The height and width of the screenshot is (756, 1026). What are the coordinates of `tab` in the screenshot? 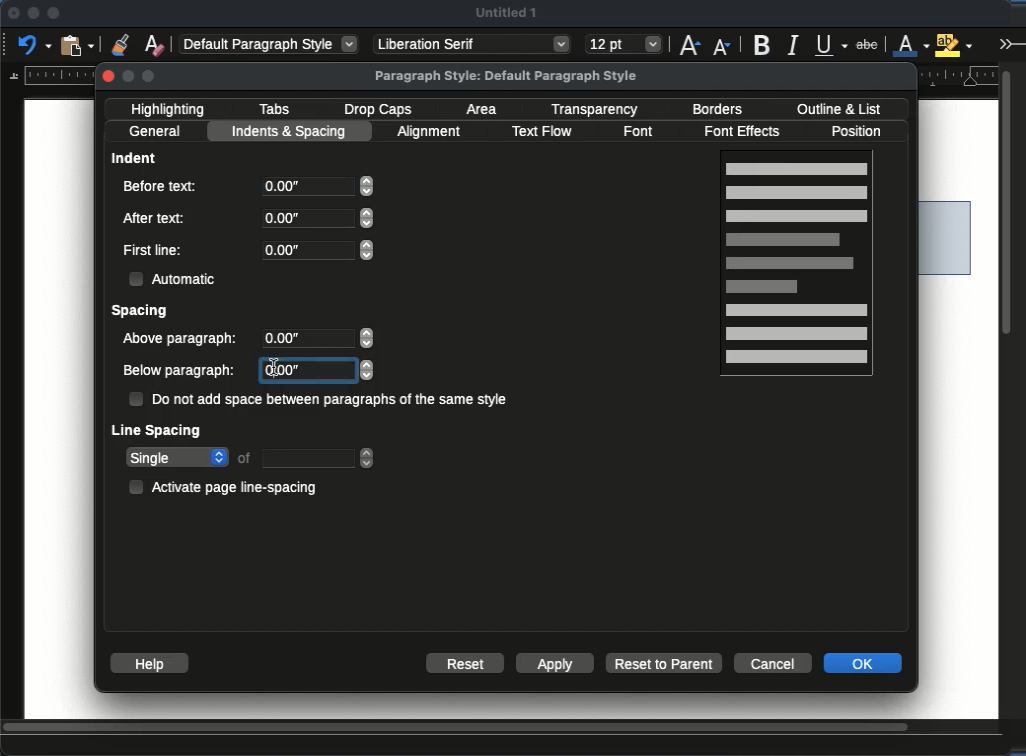 It's located at (320, 458).